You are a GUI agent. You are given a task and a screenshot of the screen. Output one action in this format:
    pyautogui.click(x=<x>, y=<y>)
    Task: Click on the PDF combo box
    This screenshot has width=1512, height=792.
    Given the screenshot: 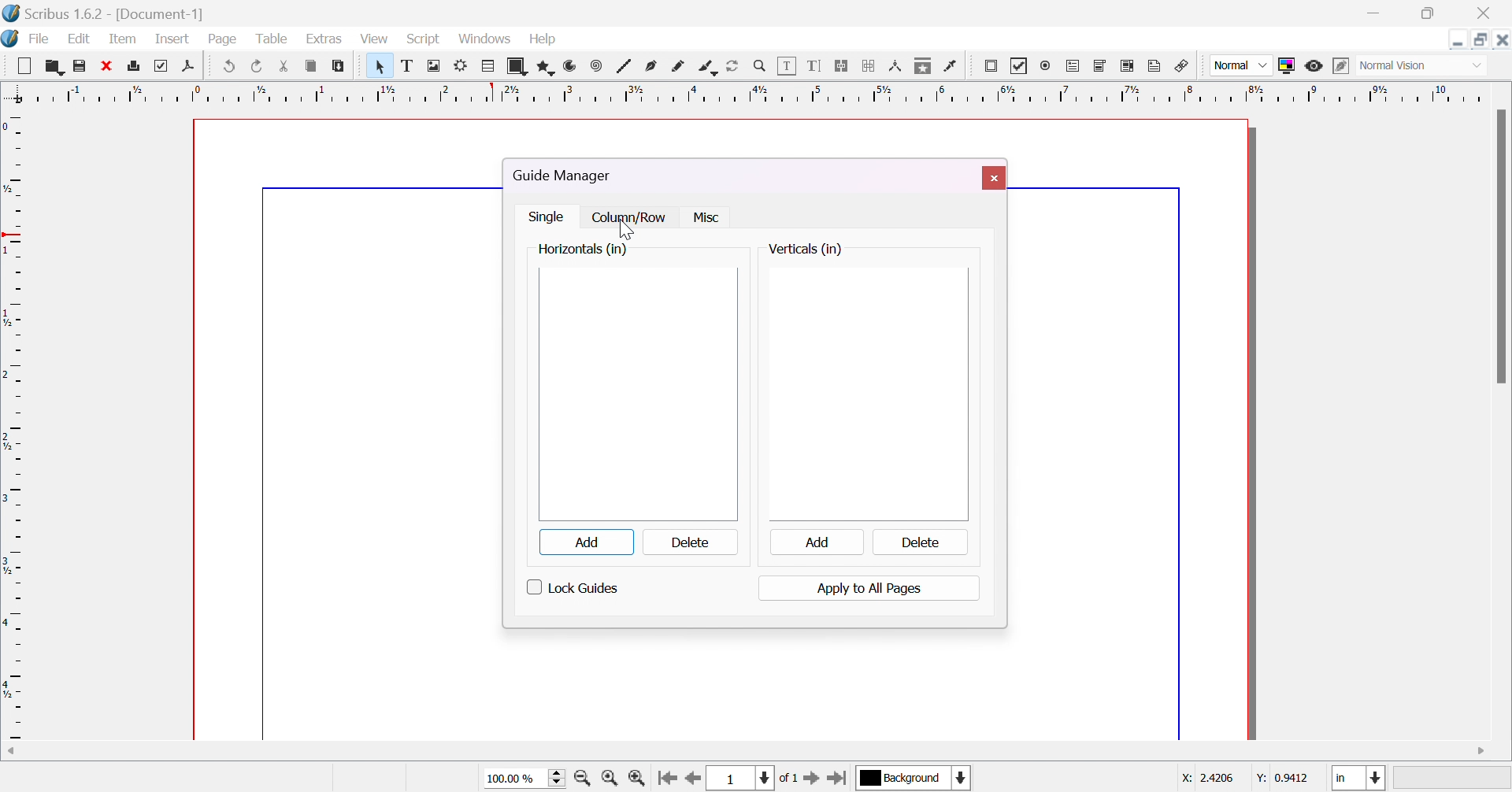 What is the action you would take?
    pyautogui.click(x=1100, y=67)
    